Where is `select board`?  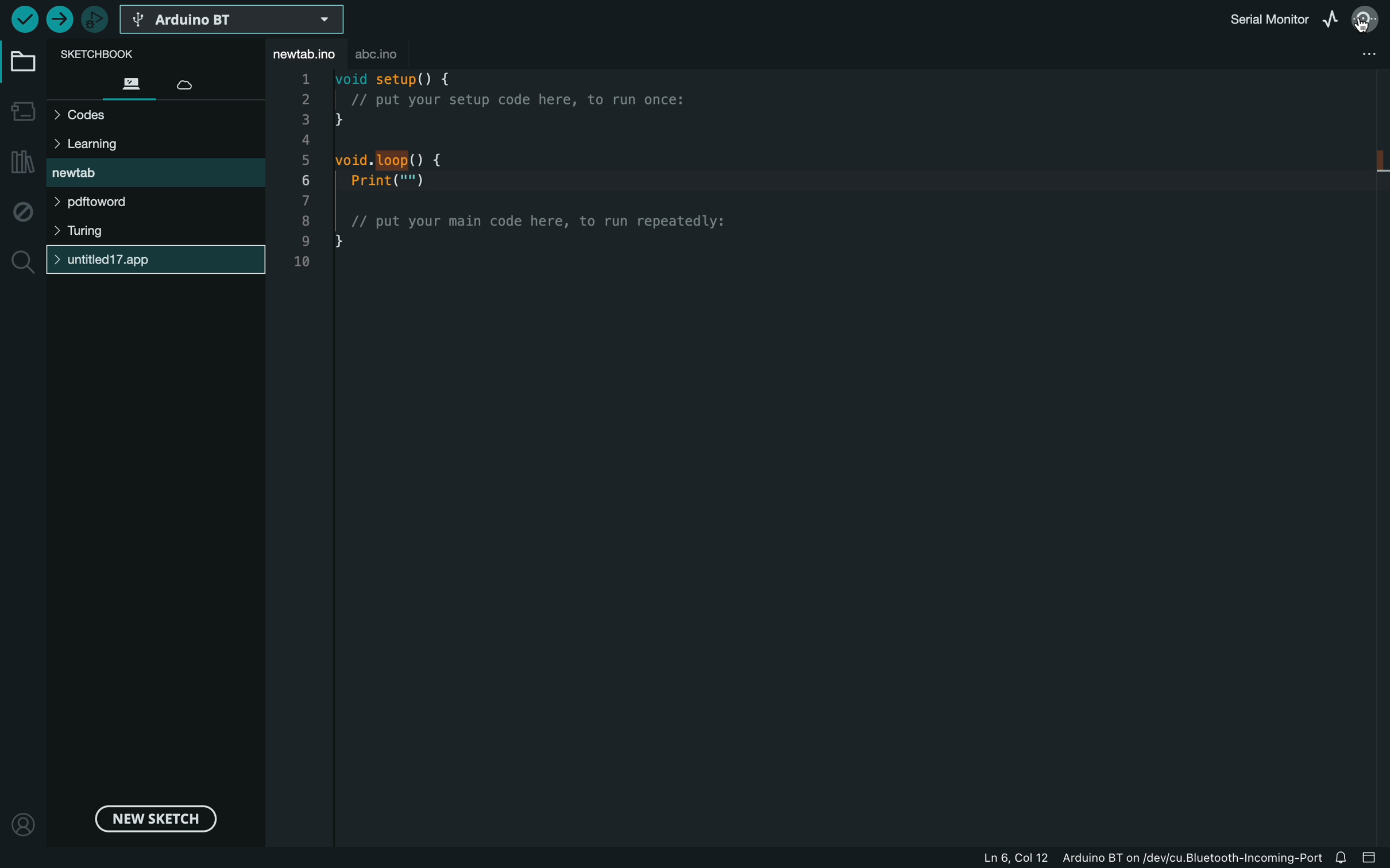
select board is located at coordinates (235, 21).